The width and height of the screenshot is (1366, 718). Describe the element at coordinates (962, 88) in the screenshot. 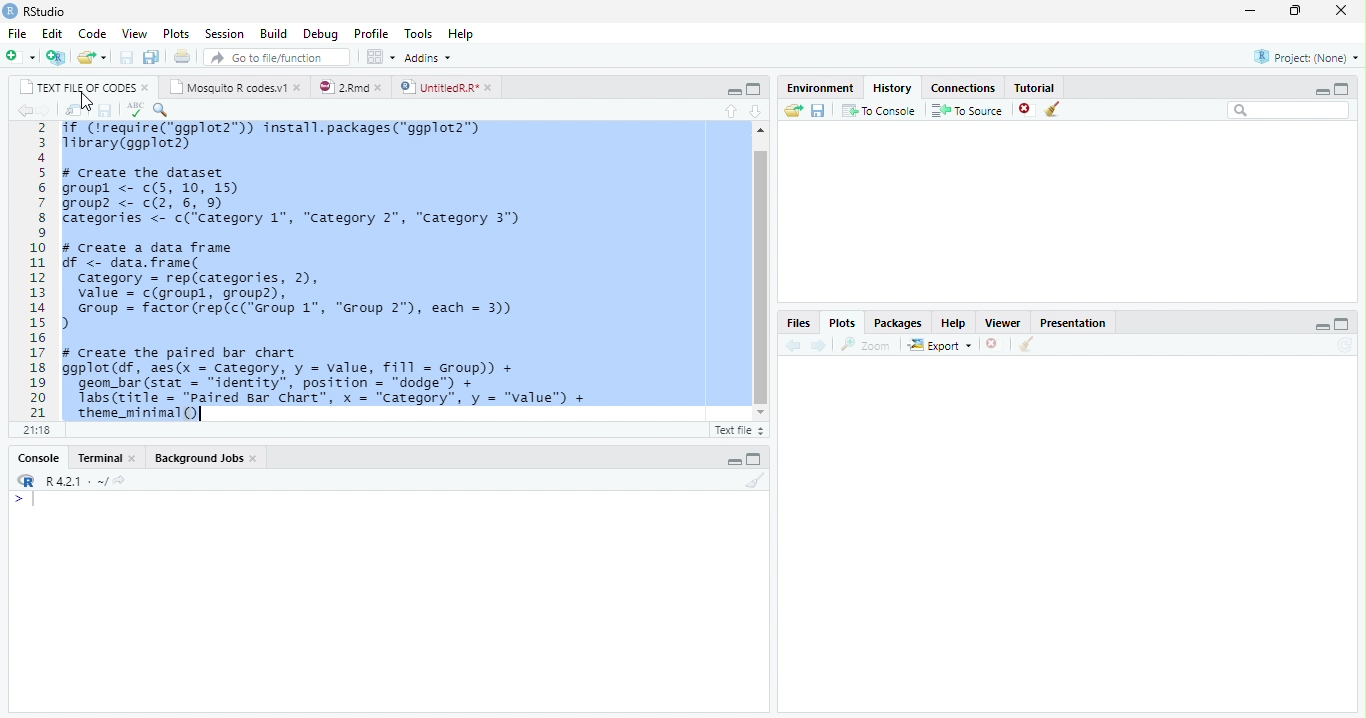

I see `connections` at that location.